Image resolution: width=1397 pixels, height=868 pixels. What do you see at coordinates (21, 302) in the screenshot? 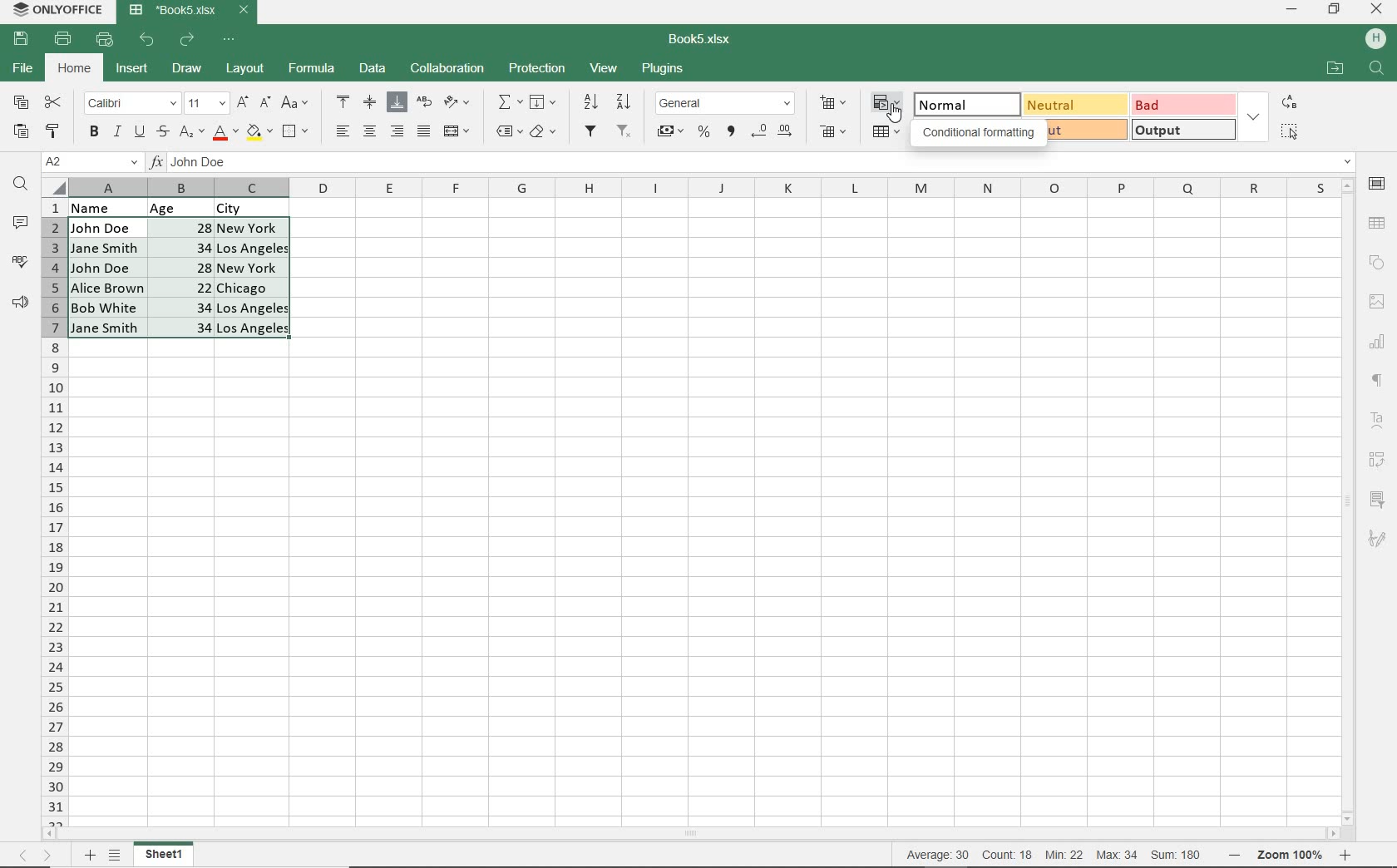
I see `FEEDBACK & SUPPORT` at bounding box center [21, 302].